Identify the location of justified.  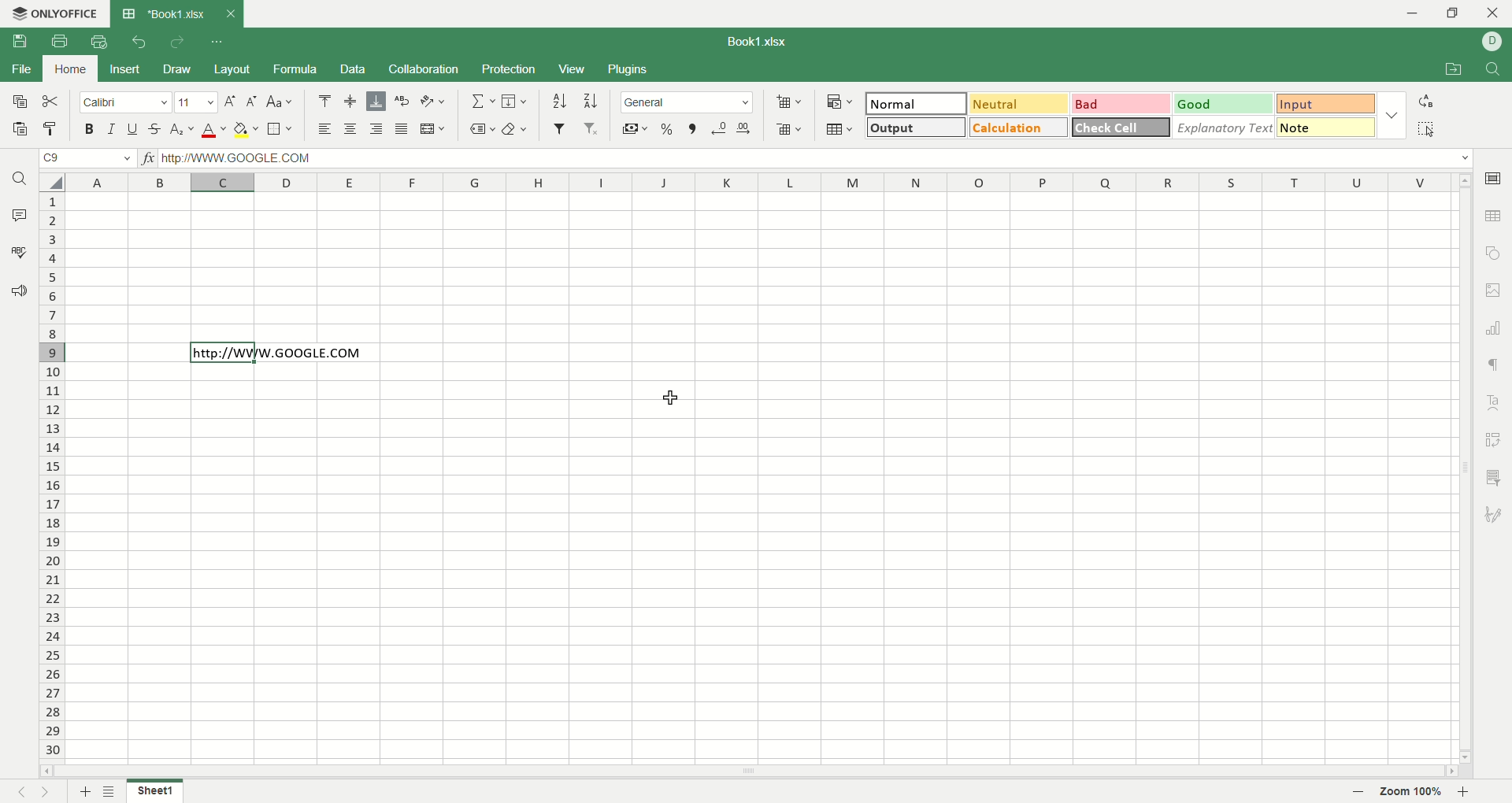
(402, 129).